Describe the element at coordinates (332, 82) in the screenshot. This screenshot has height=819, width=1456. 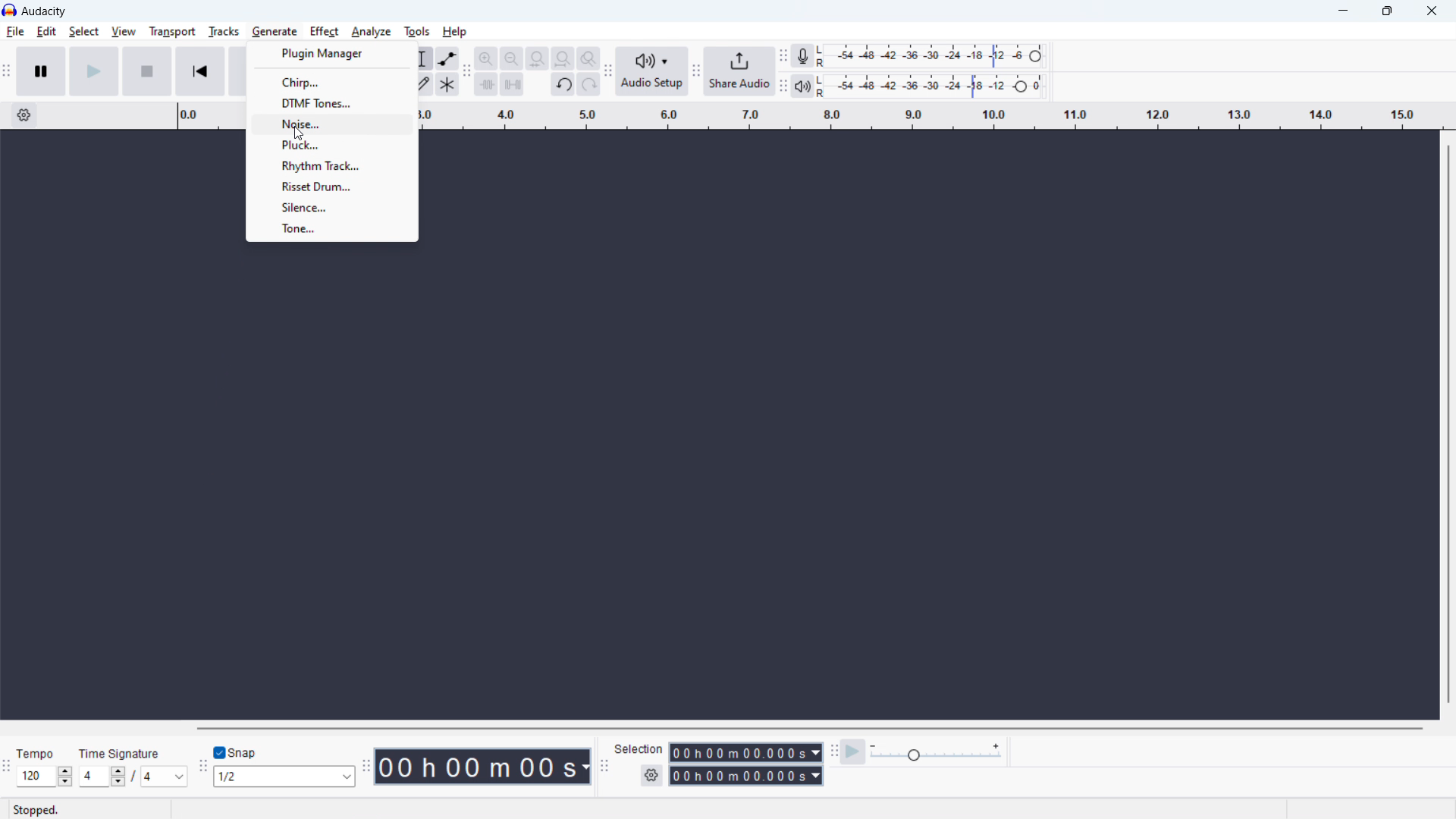
I see `chirp` at that location.